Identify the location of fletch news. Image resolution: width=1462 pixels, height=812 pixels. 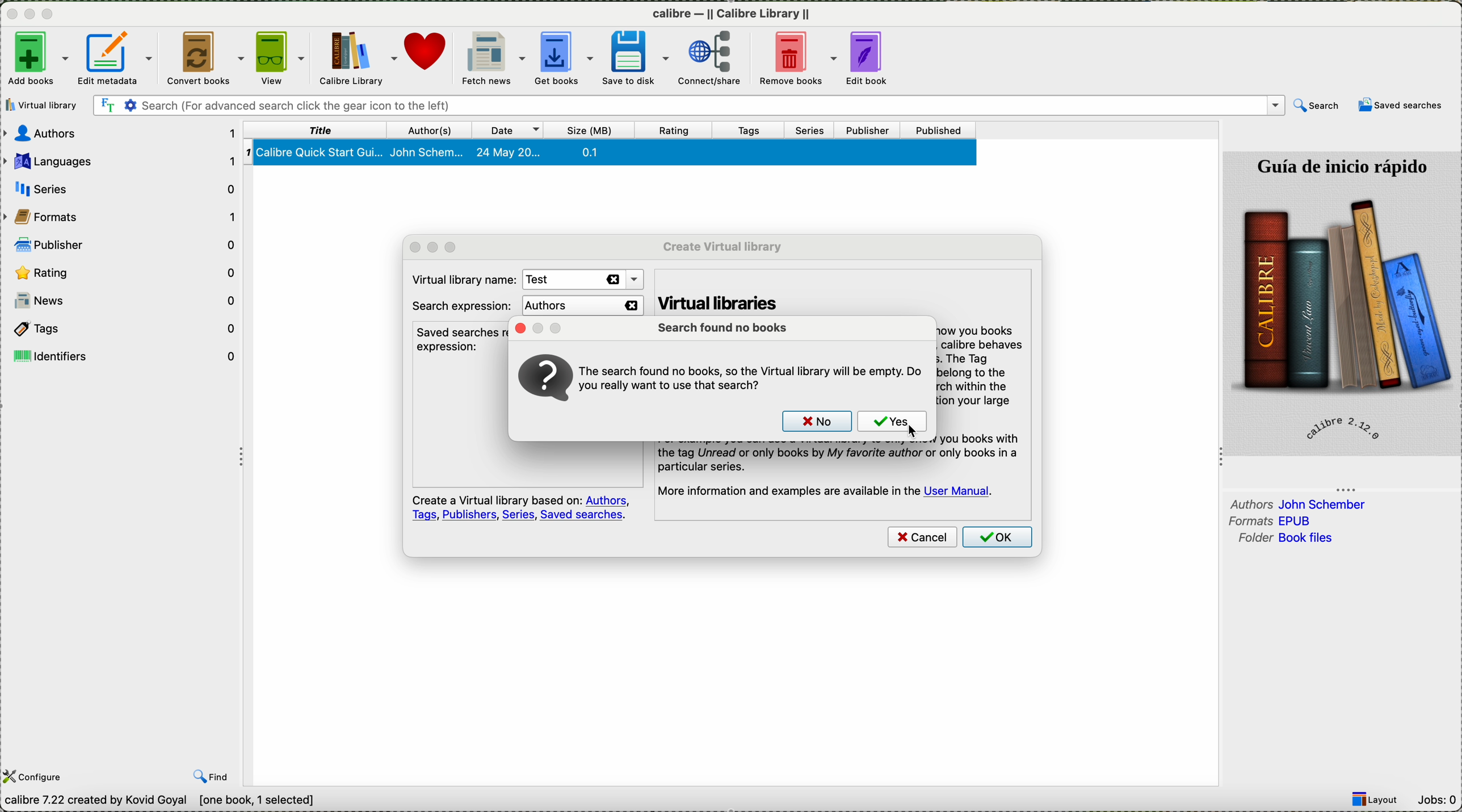
(494, 58).